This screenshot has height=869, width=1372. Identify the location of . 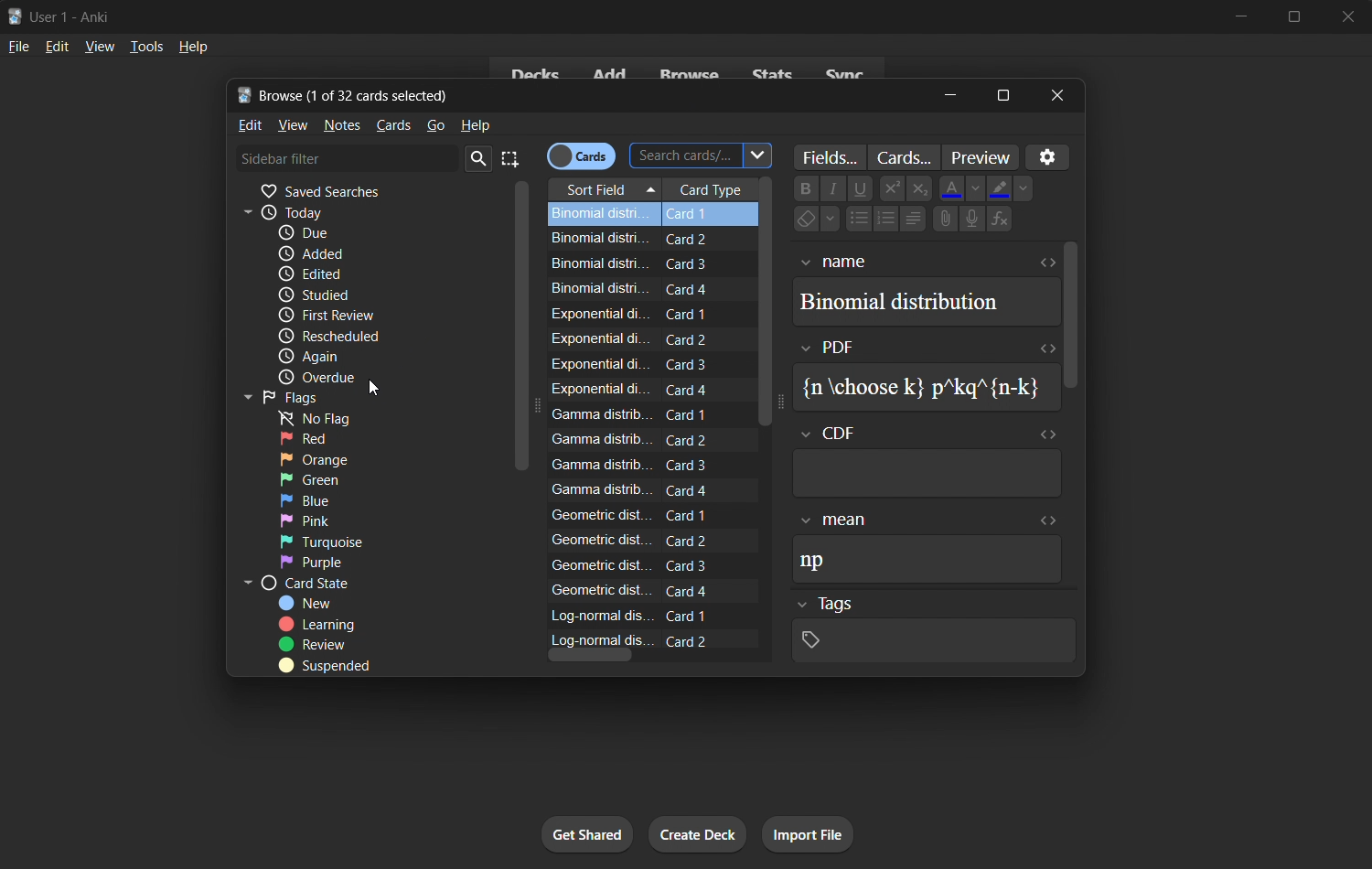
(804, 220).